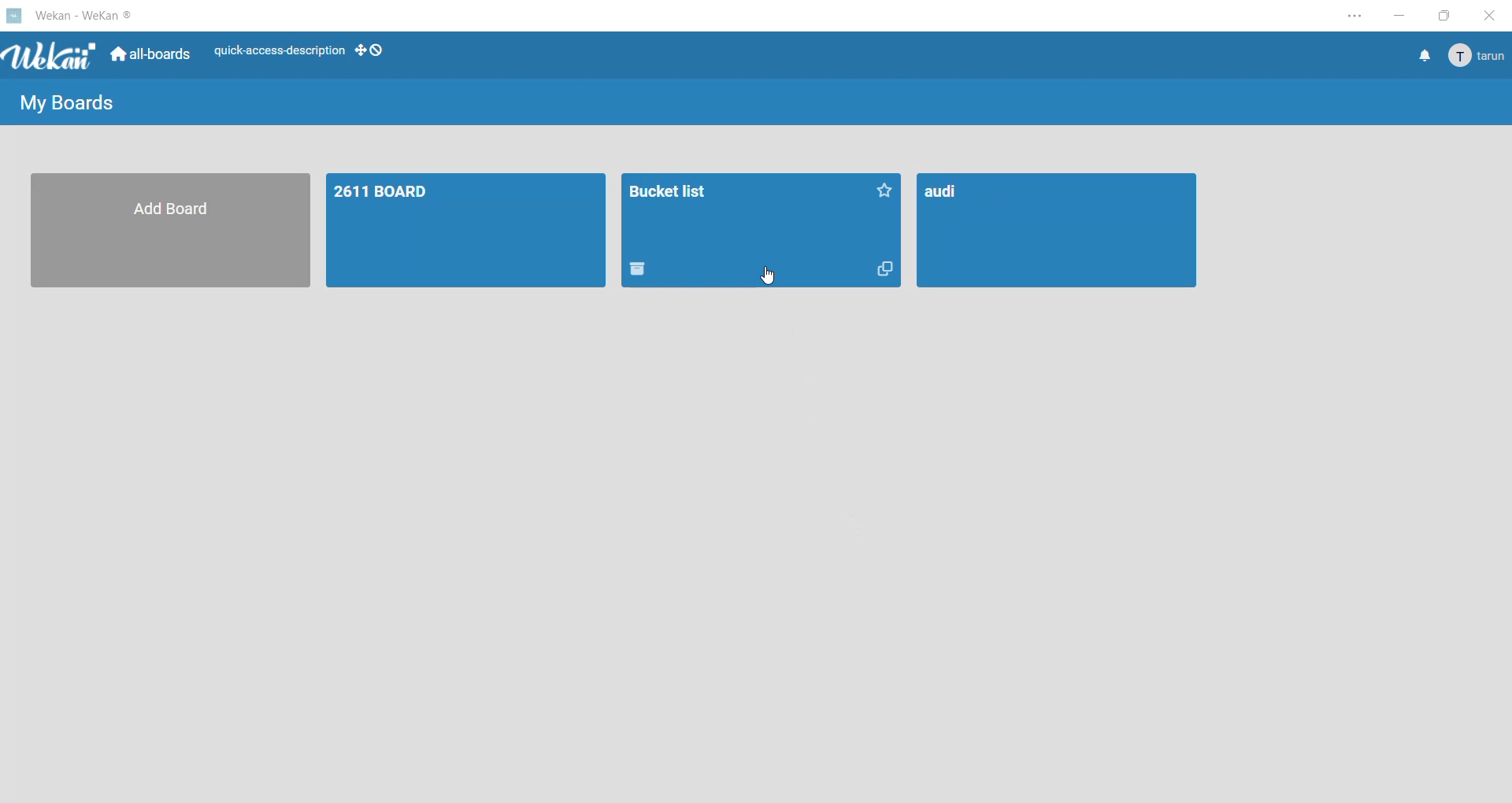 Image resolution: width=1512 pixels, height=803 pixels. I want to click on maximize, so click(1442, 17).